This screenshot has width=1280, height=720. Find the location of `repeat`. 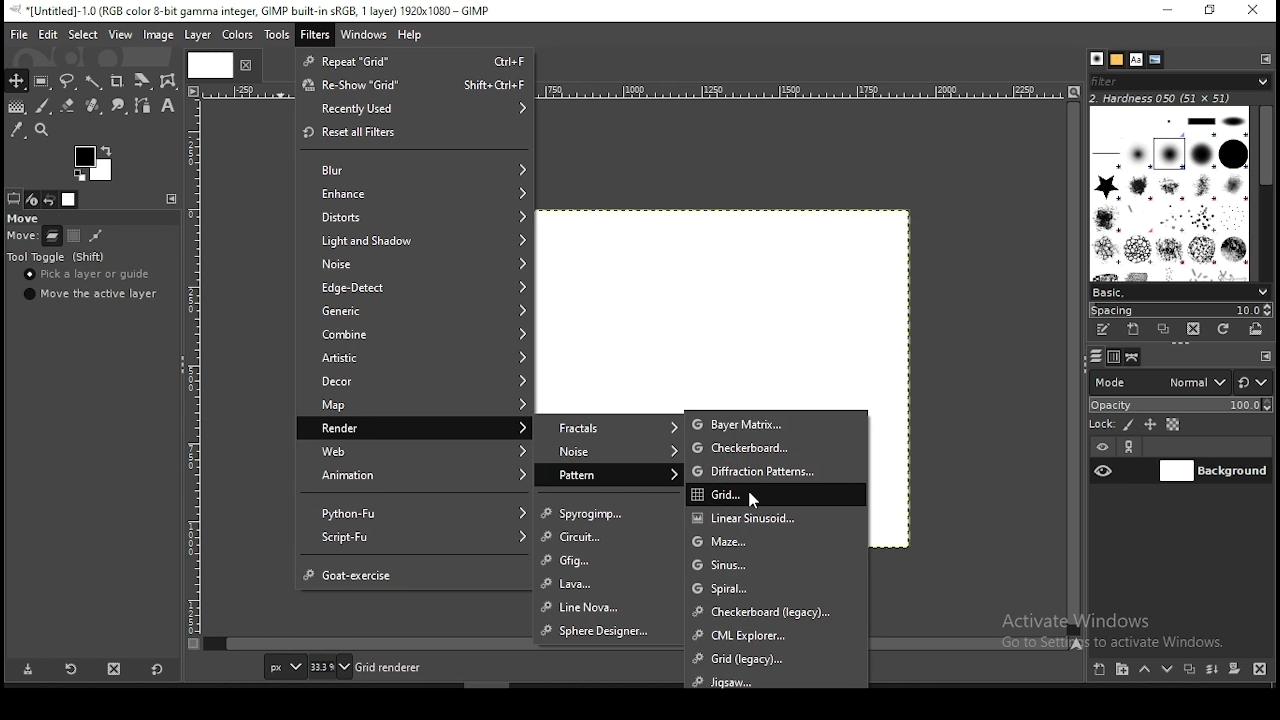

repeat is located at coordinates (415, 61).